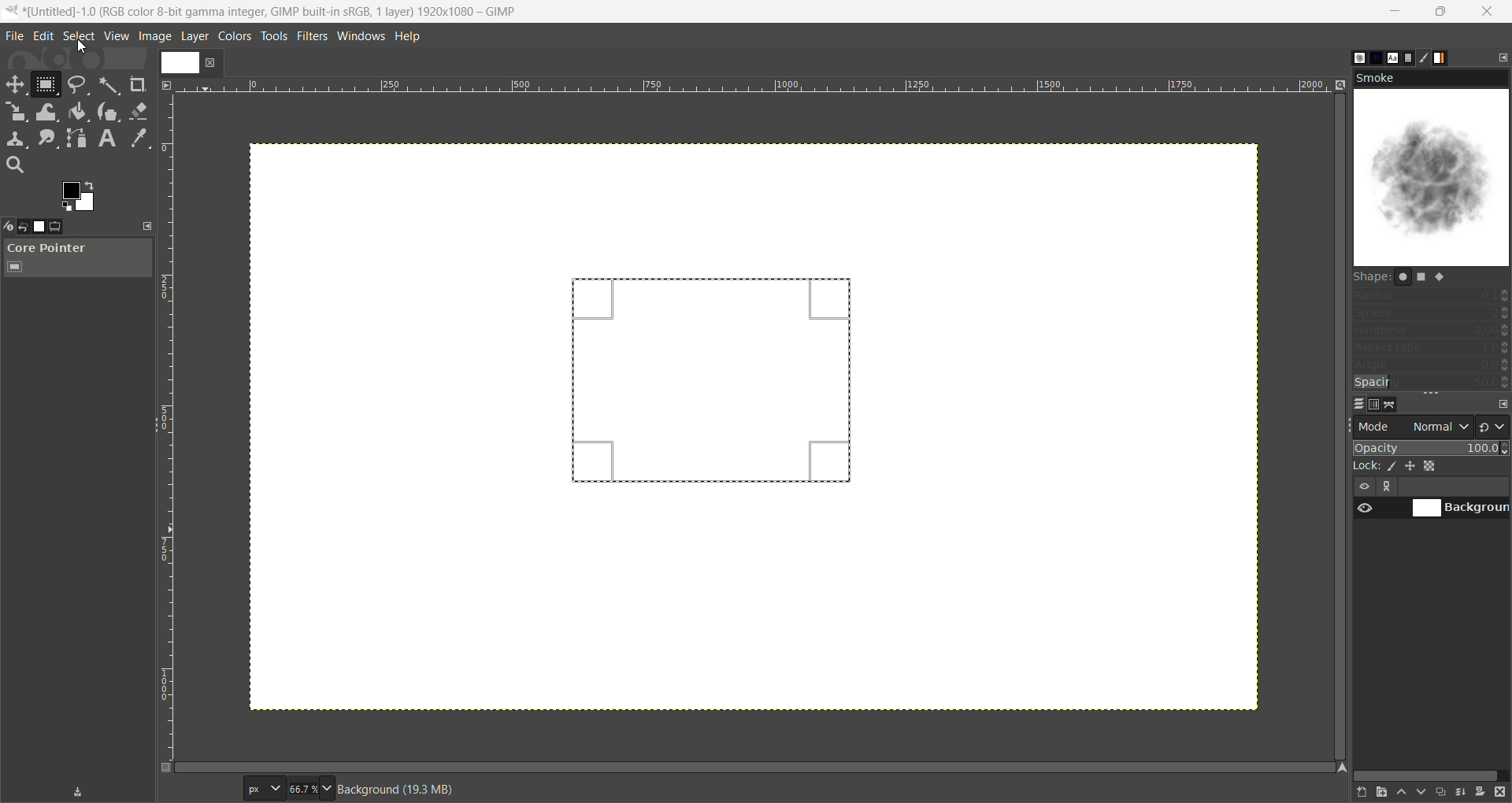 The height and width of the screenshot is (803, 1512). What do you see at coordinates (1425, 57) in the screenshot?
I see `brush editor` at bounding box center [1425, 57].